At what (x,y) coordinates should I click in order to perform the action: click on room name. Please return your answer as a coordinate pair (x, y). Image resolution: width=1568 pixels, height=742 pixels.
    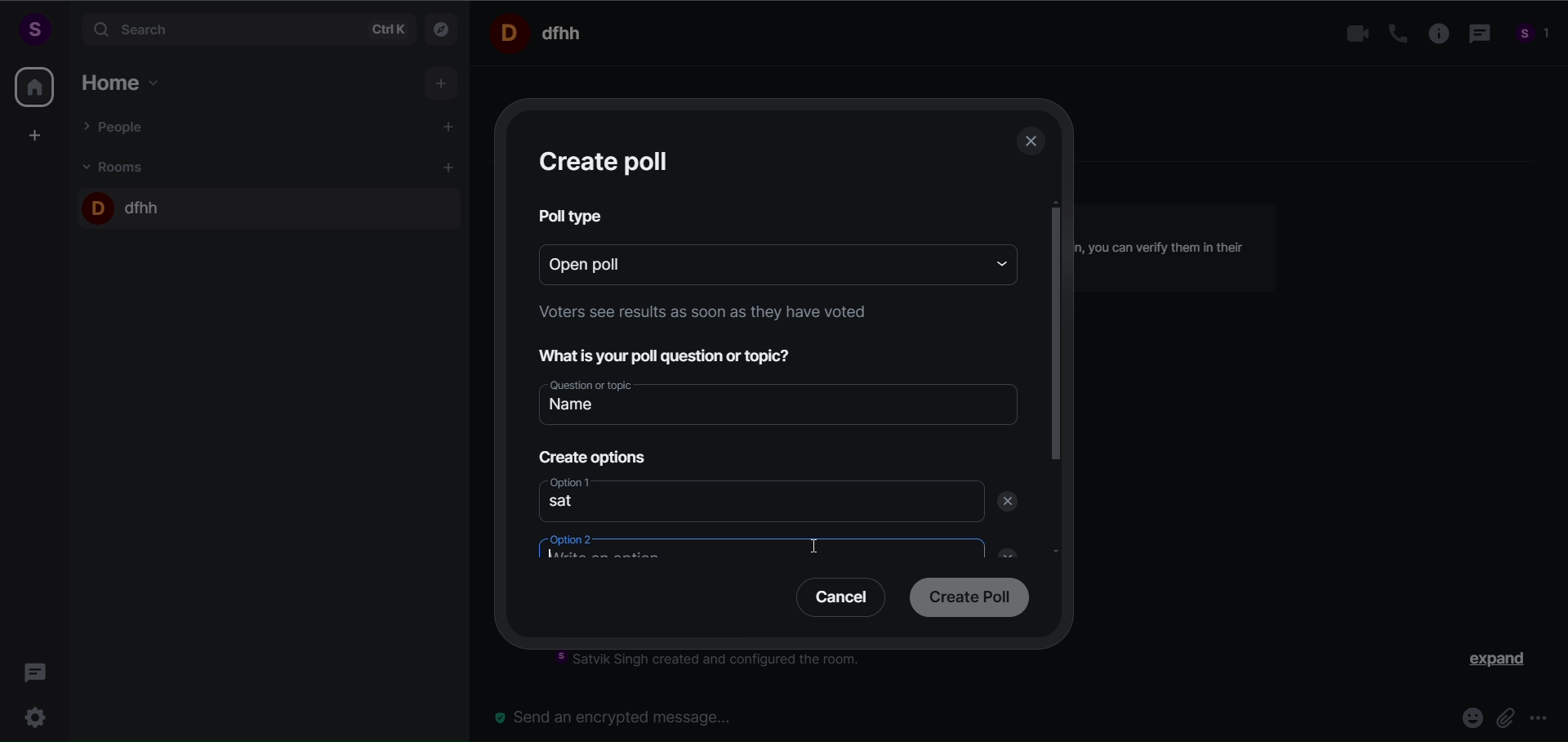
    Looking at the image, I should click on (125, 204).